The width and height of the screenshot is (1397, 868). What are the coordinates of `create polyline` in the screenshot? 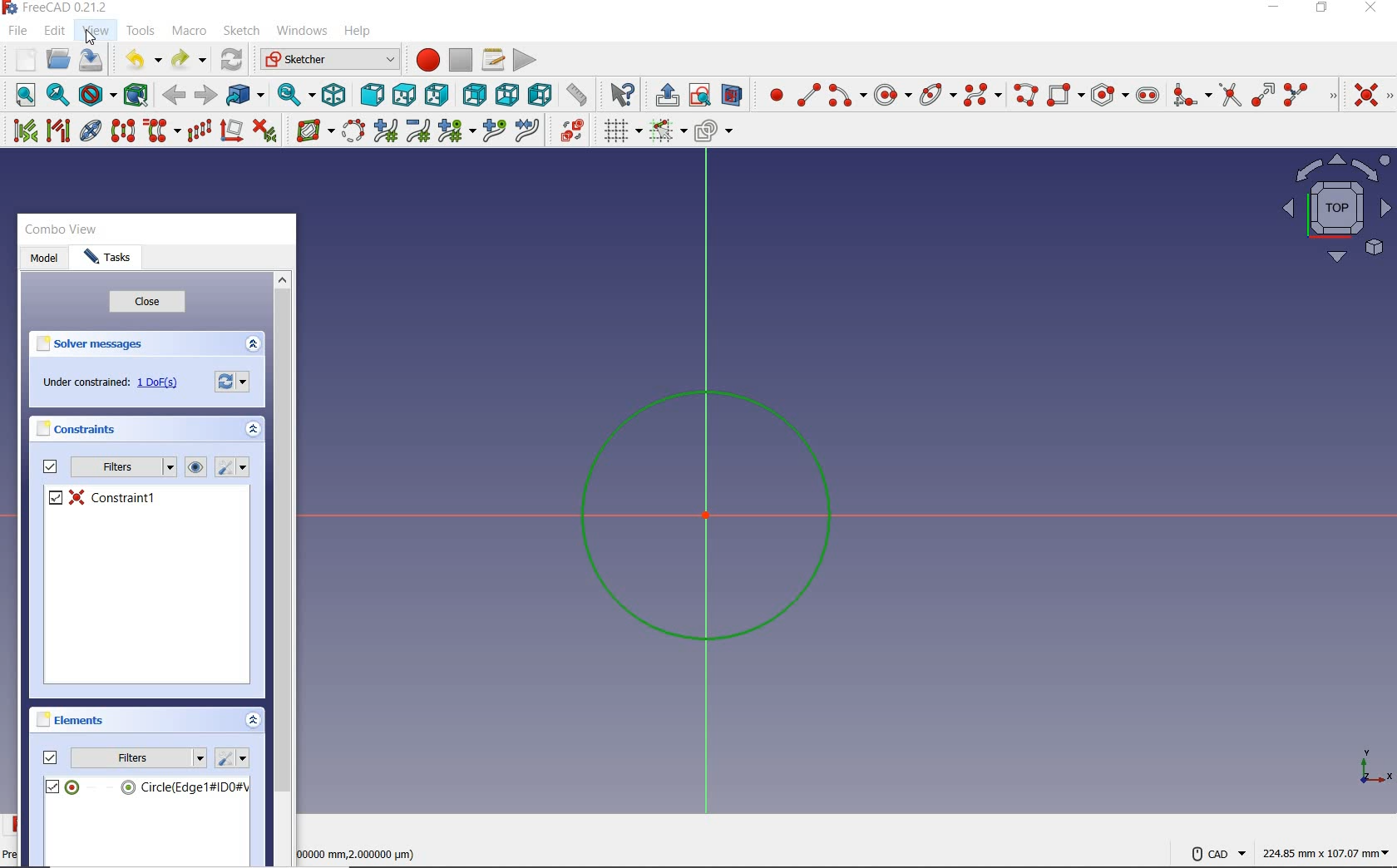 It's located at (1024, 96).